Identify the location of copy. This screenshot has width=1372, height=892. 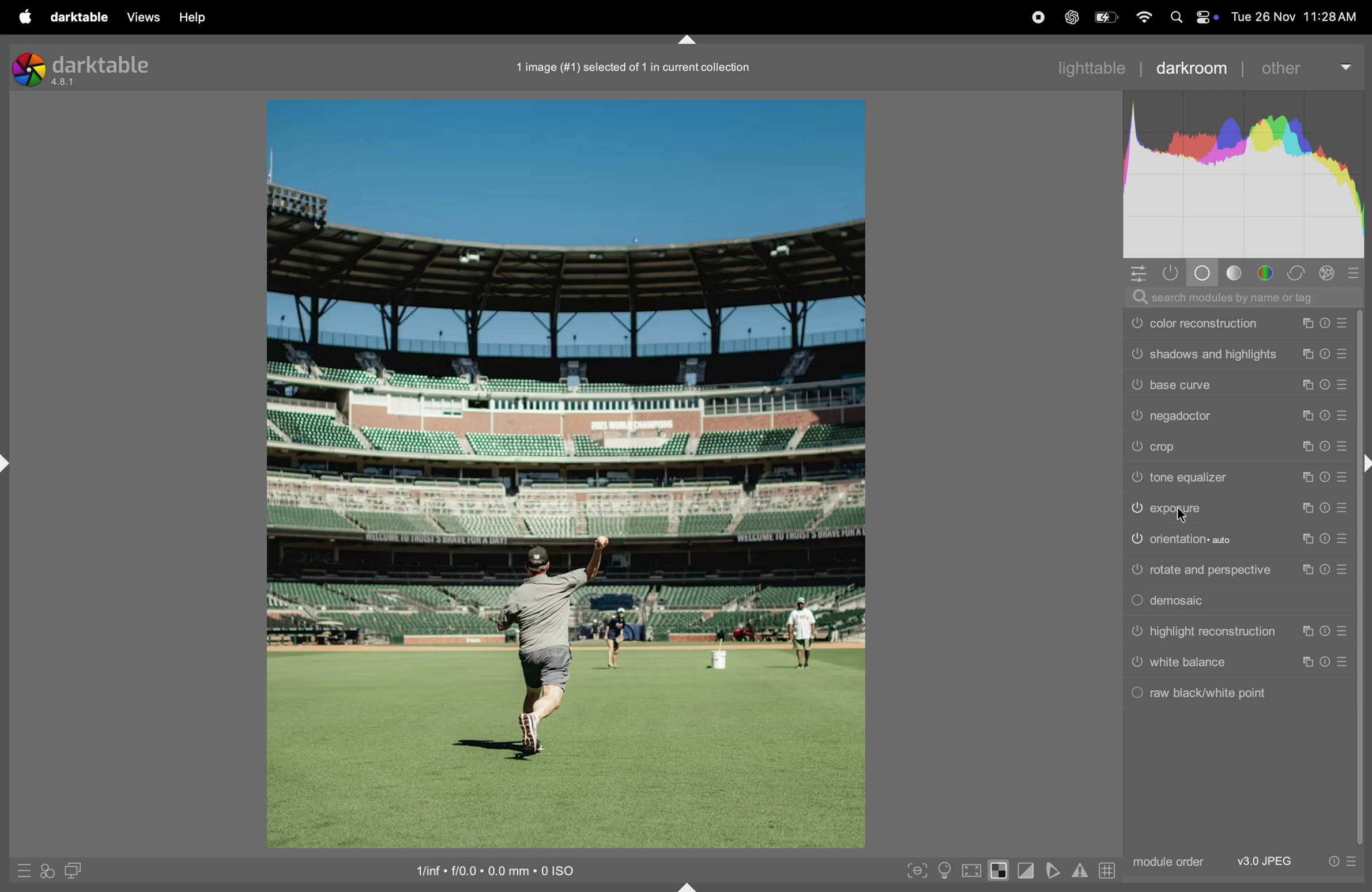
(1305, 570).